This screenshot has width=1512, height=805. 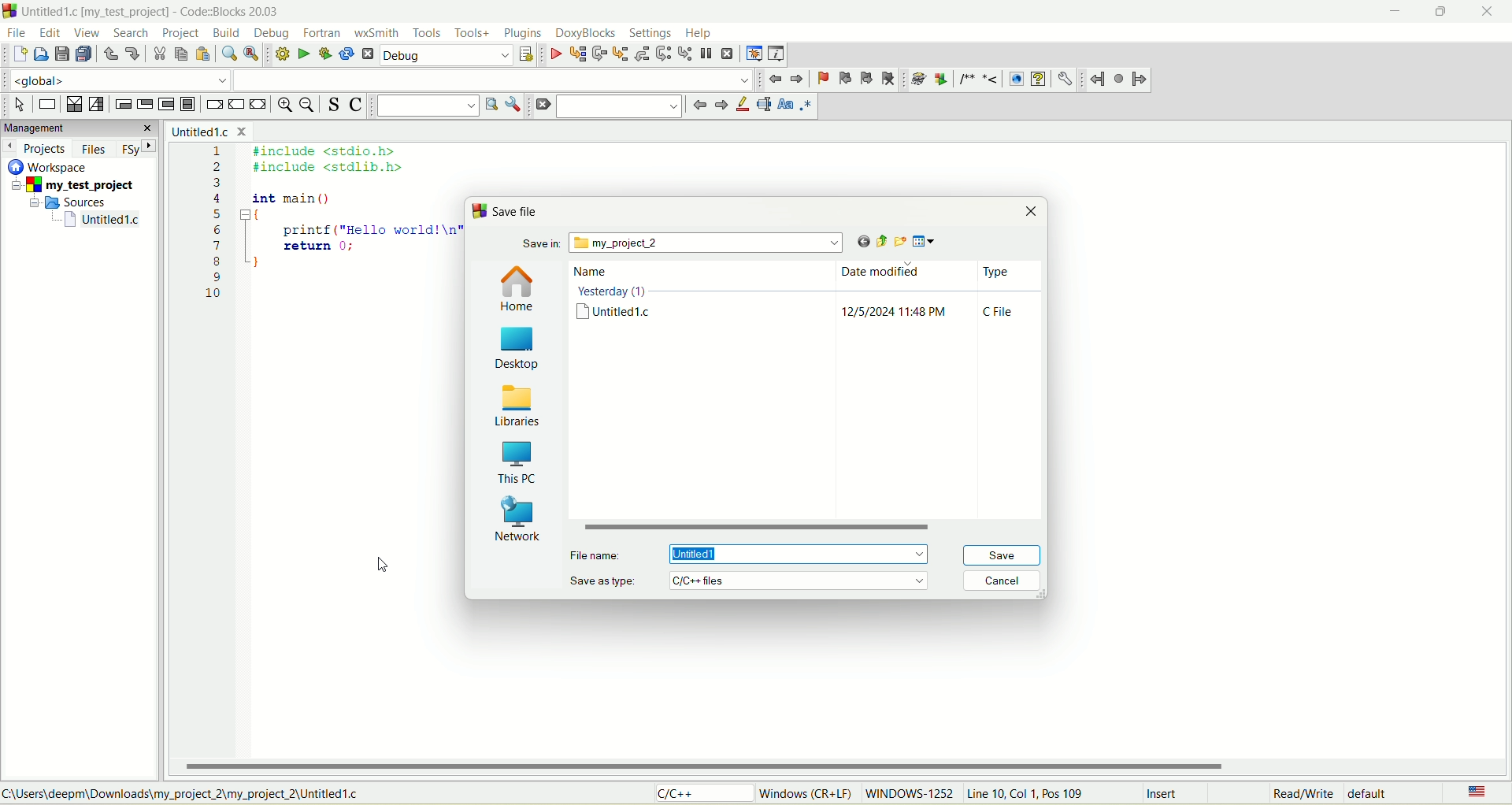 I want to click on toggle bookmark, so click(x=821, y=79).